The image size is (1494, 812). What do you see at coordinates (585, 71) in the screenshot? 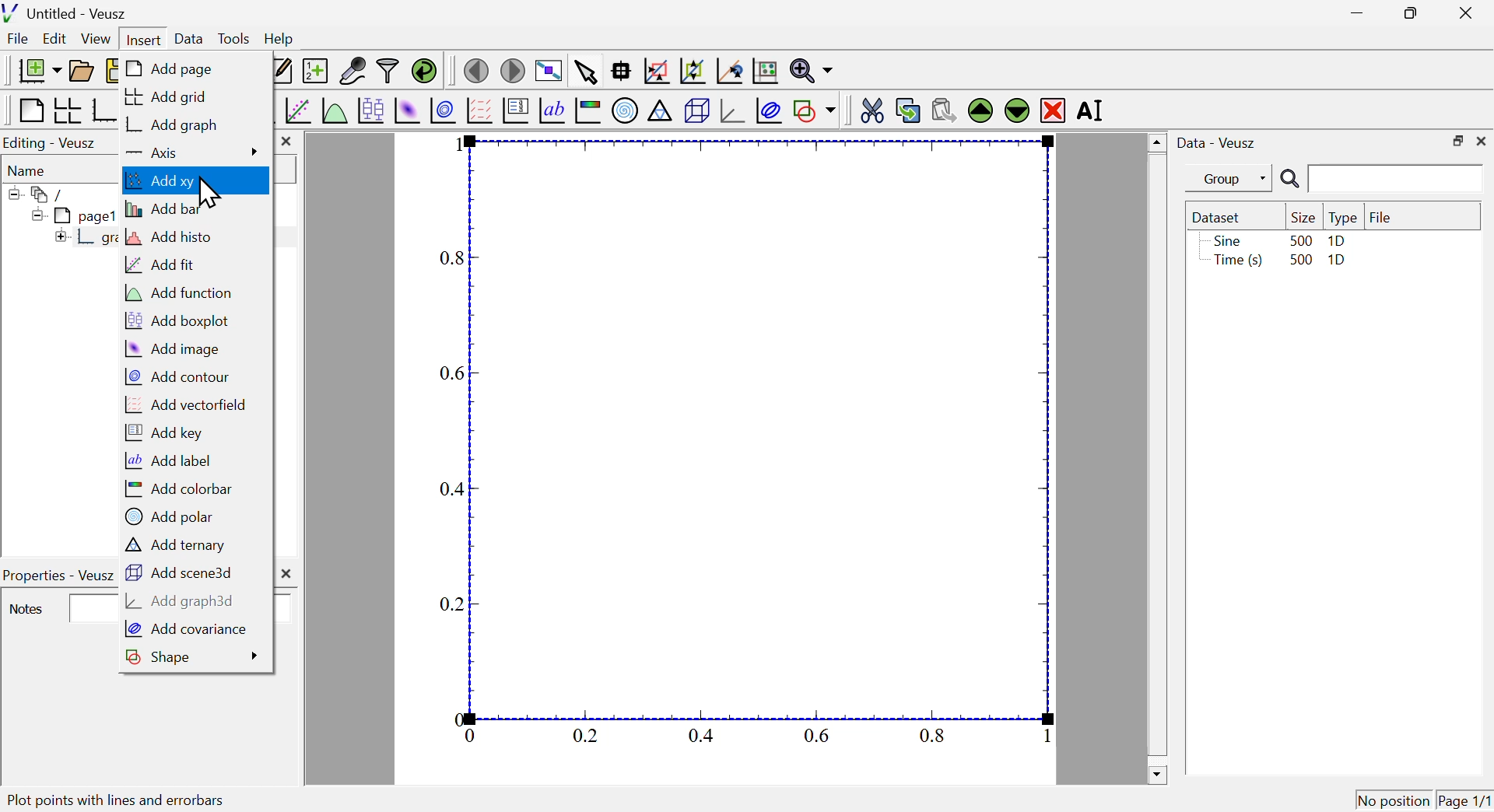
I see `select items from the graph or scroll` at bounding box center [585, 71].